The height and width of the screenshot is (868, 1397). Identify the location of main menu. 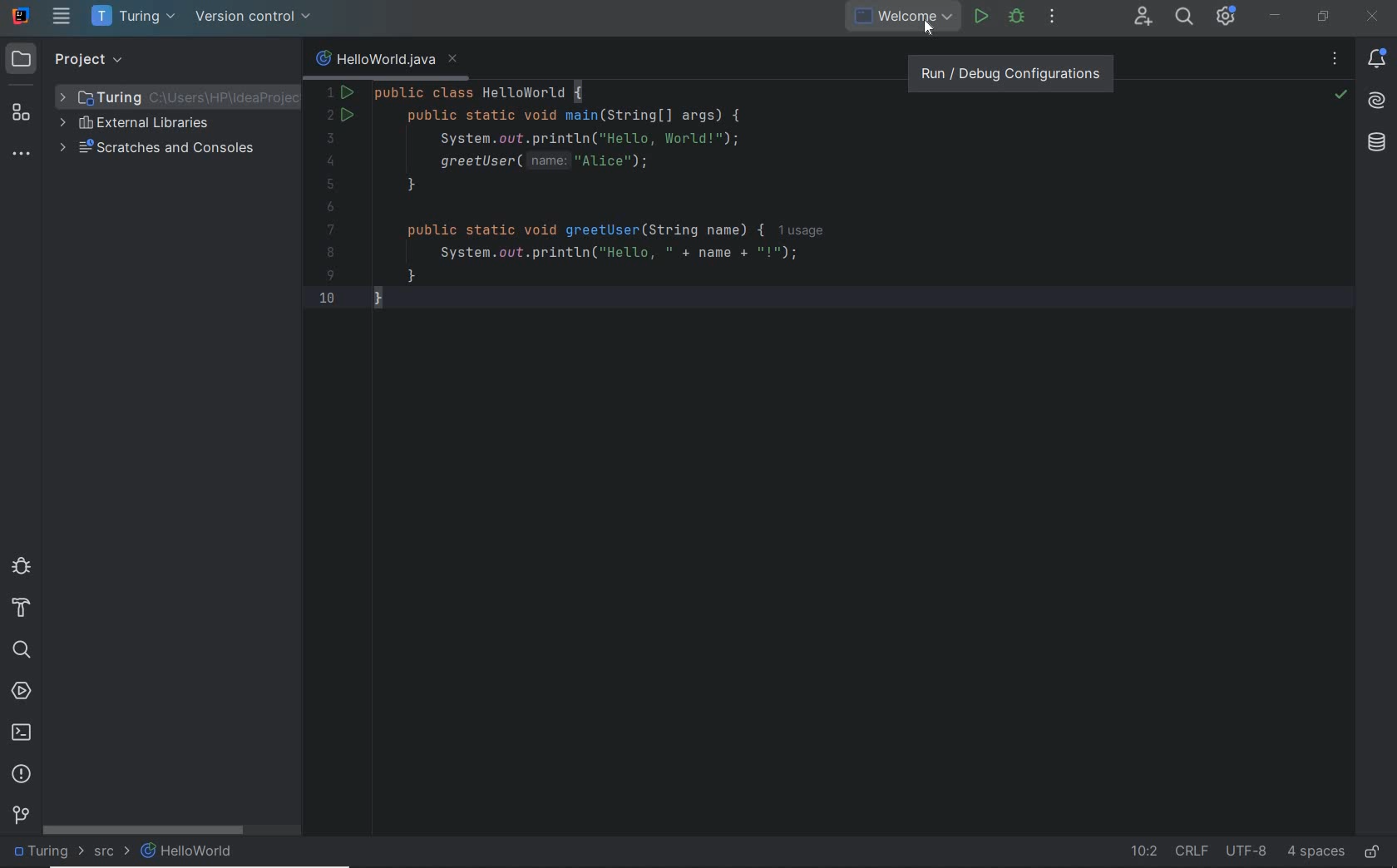
(62, 16).